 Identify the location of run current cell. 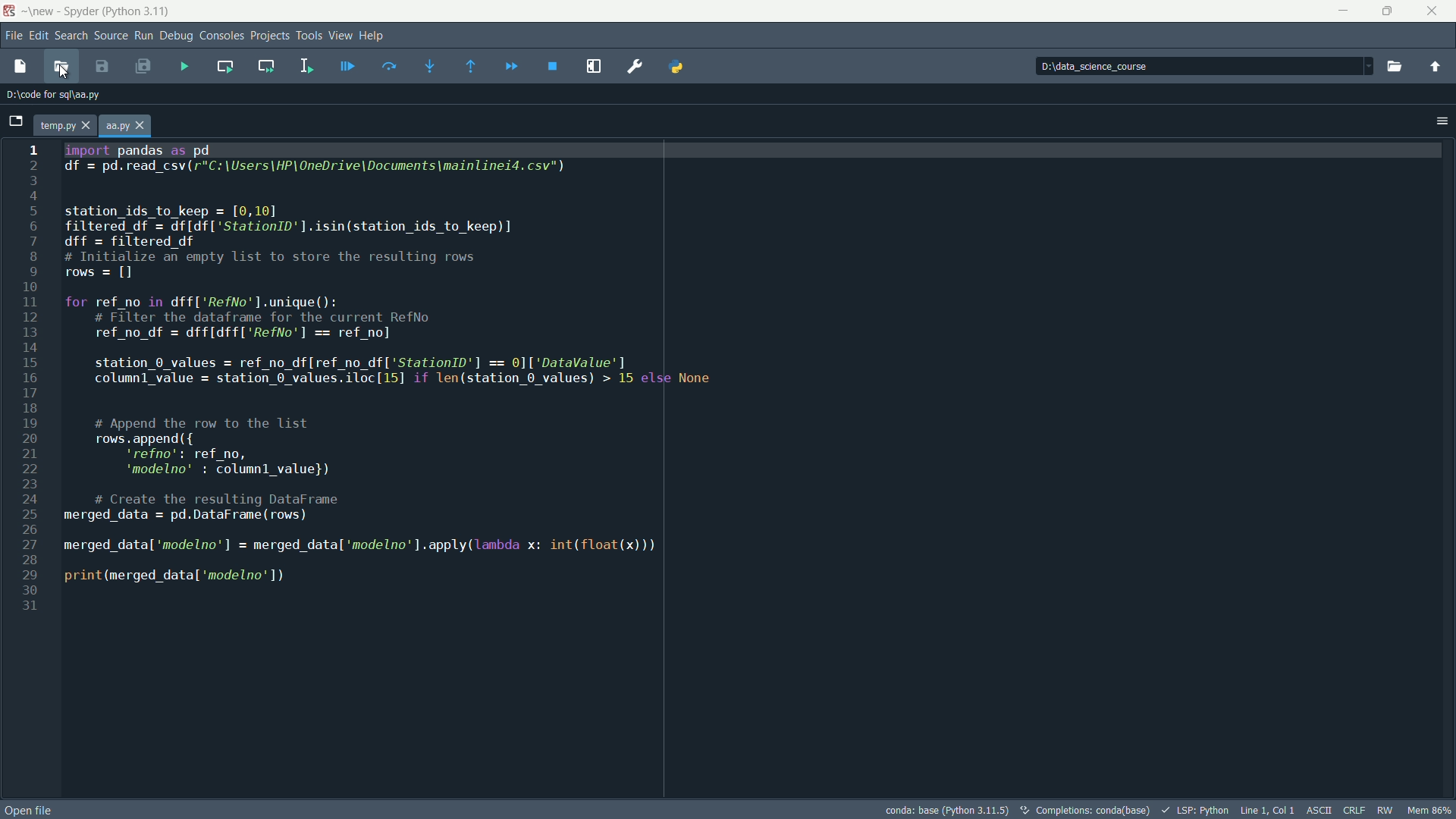
(227, 67).